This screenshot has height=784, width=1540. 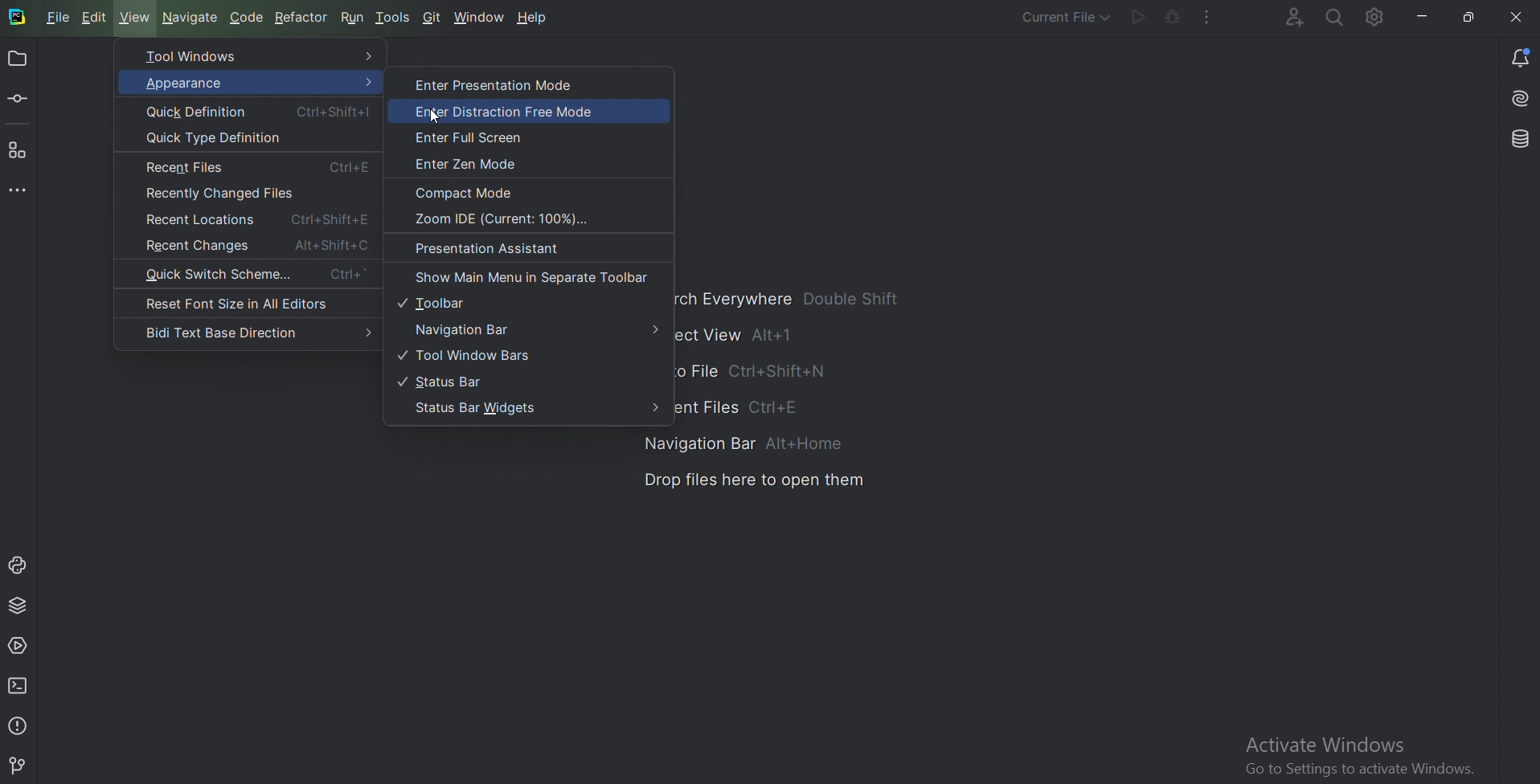 What do you see at coordinates (456, 380) in the screenshot?
I see `Status bar` at bounding box center [456, 380].